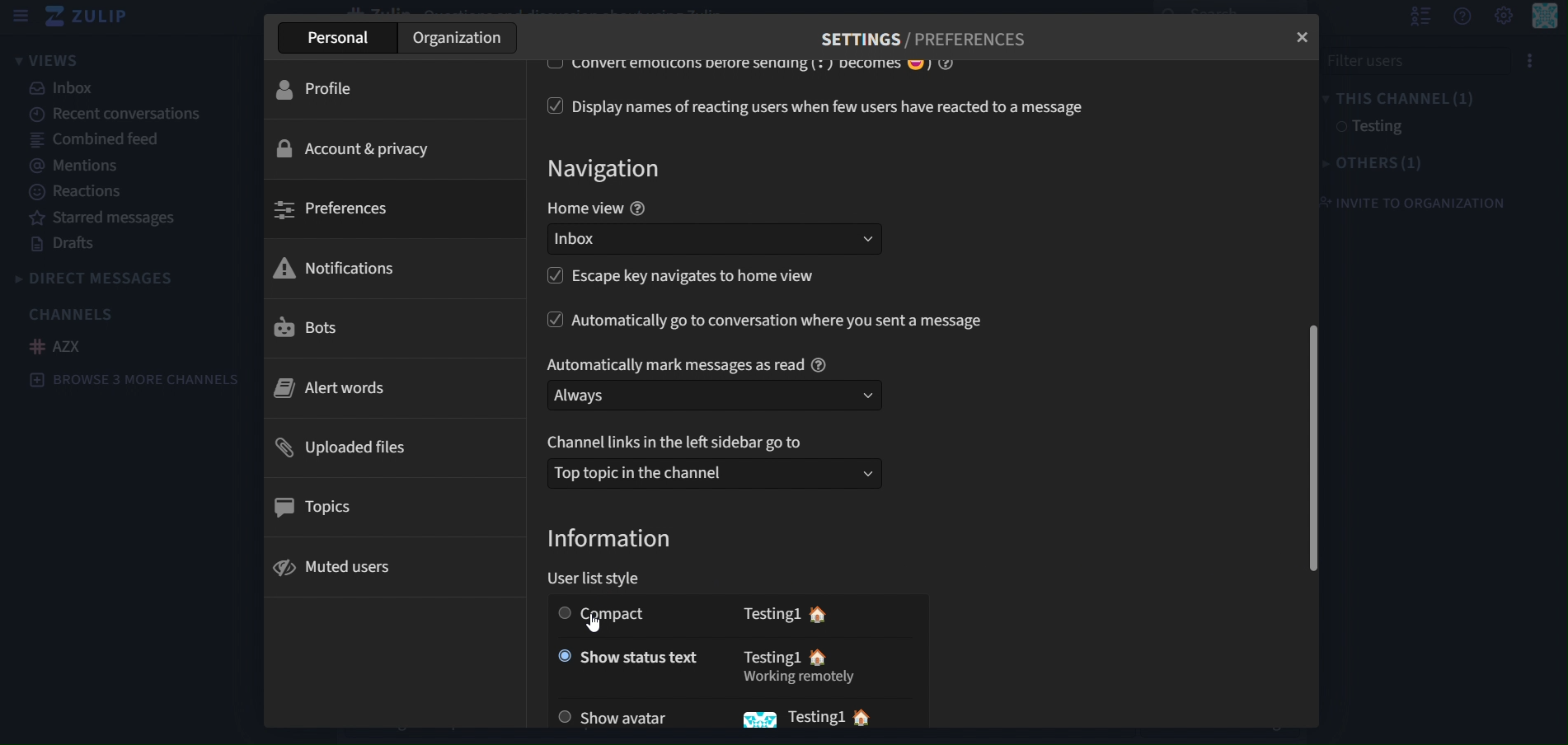  What do you see at coordinates (20, 16) in the screenshot?
I see `sidebar` at bounding box center [20, 16].